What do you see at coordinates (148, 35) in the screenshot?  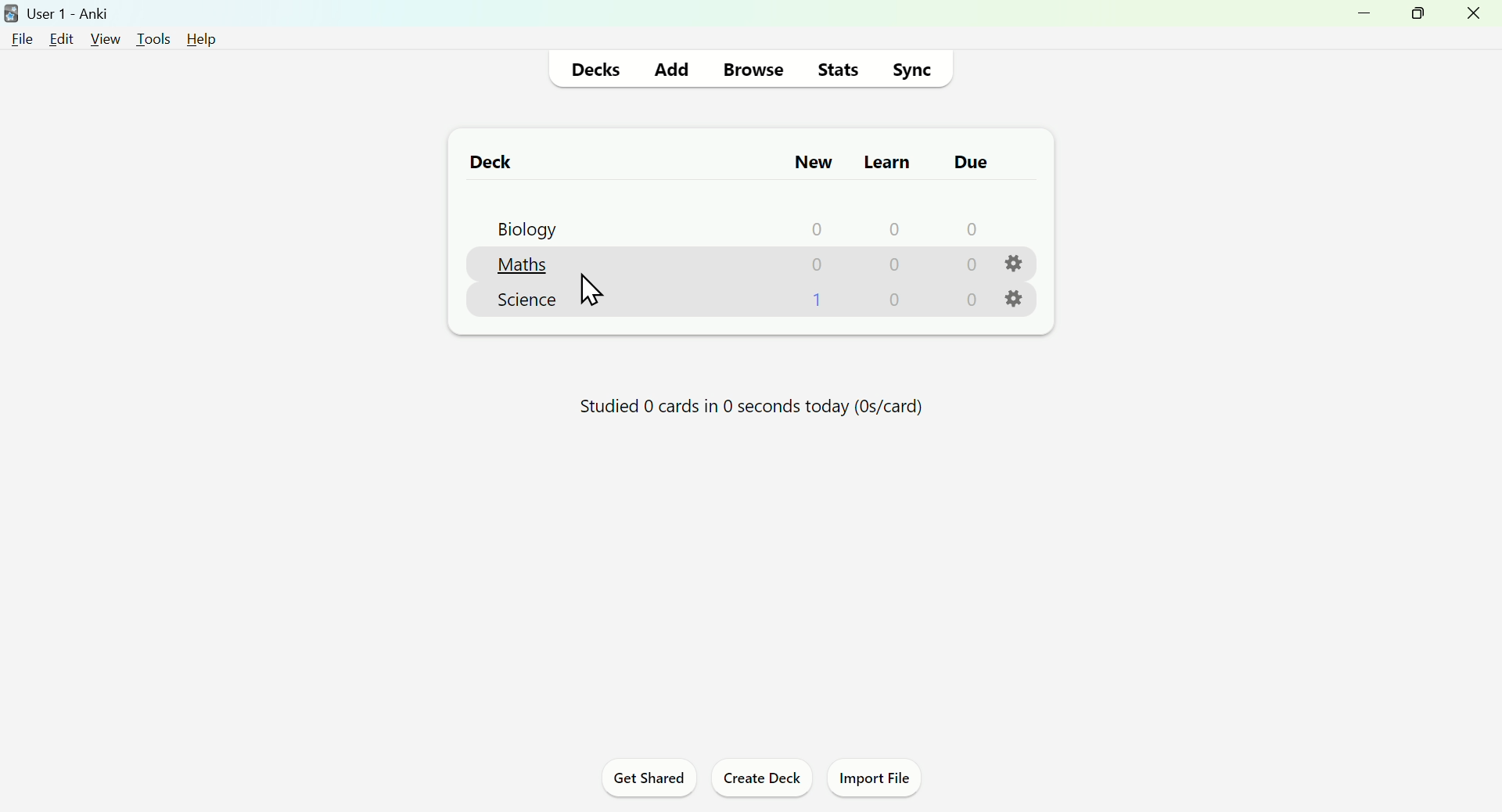 I see `Tools` at bounding box center [148, 35].